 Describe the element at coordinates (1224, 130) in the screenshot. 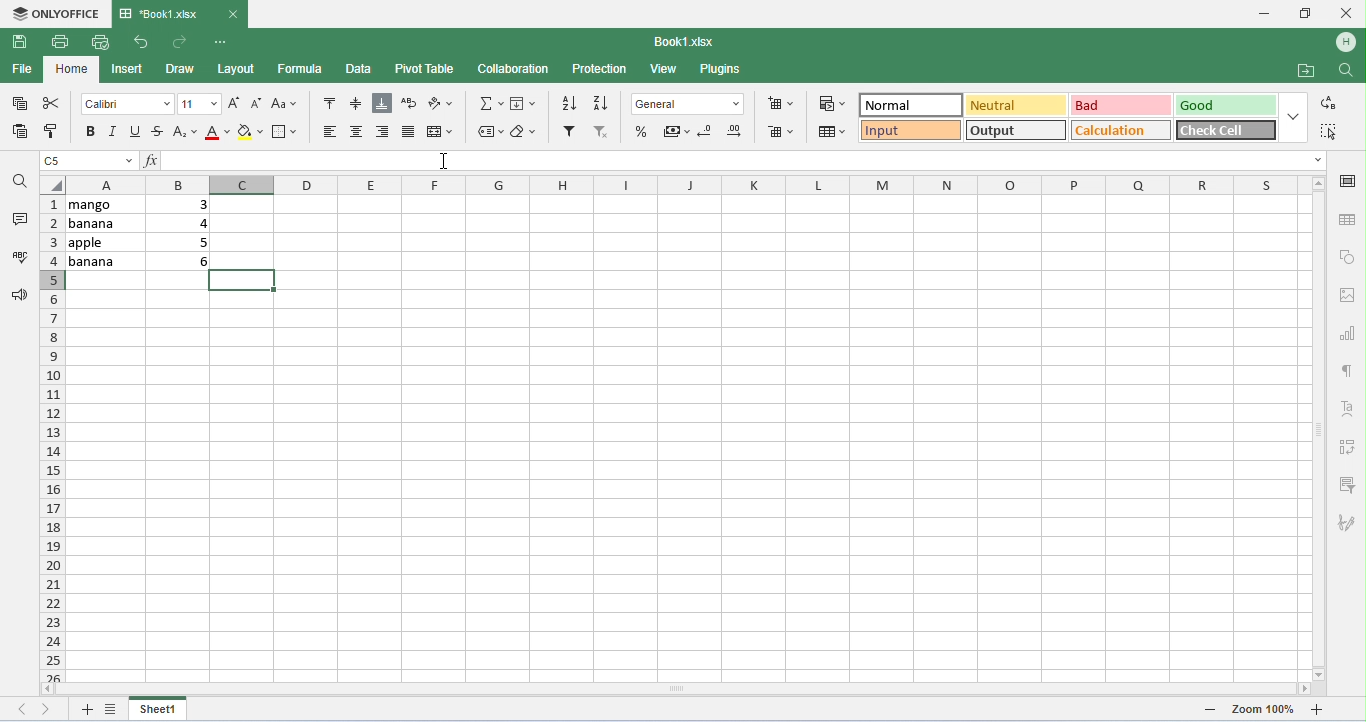

I see `check cell` at that location.